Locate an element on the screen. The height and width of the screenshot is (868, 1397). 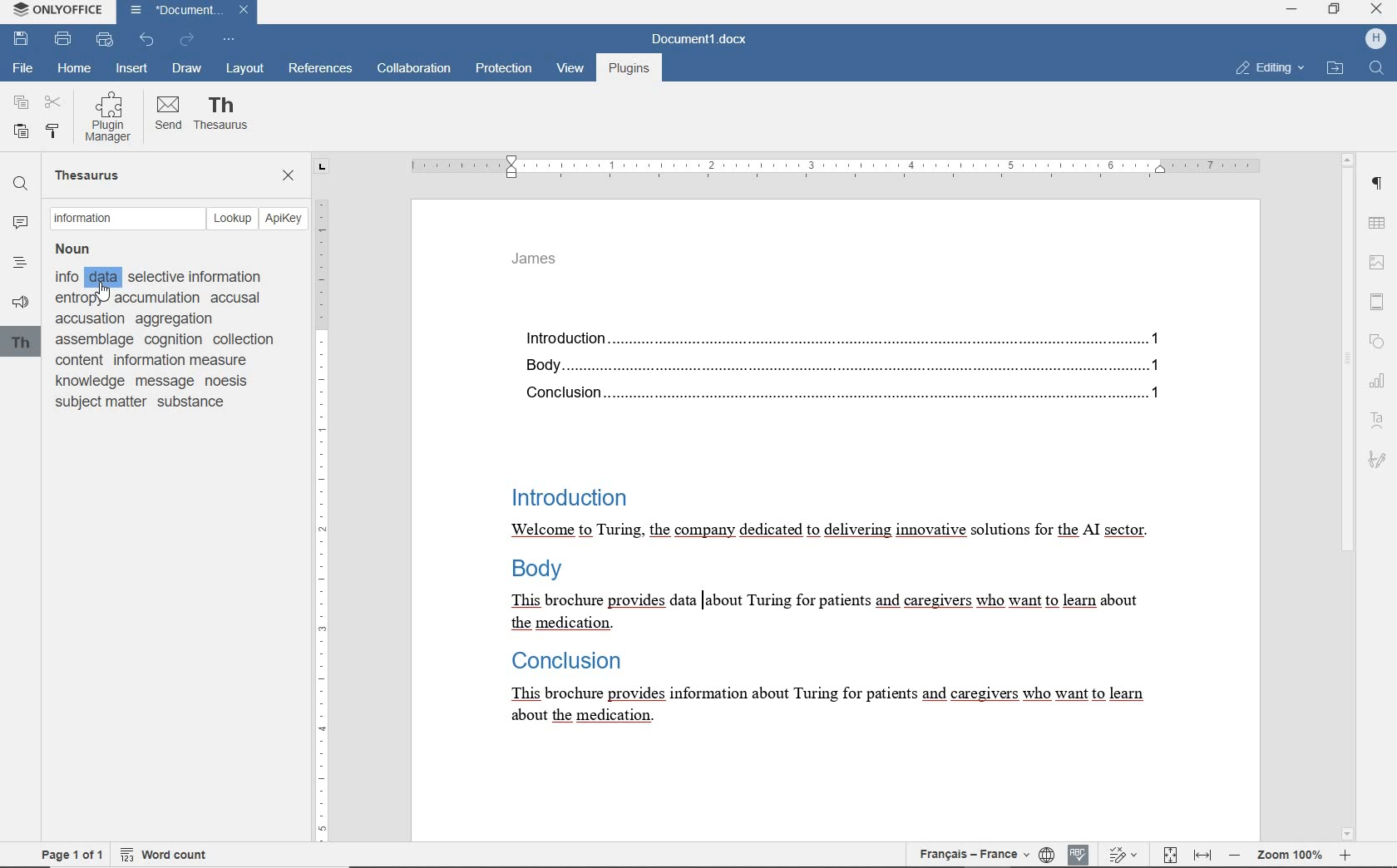
th is located at coordinates (21, 343).